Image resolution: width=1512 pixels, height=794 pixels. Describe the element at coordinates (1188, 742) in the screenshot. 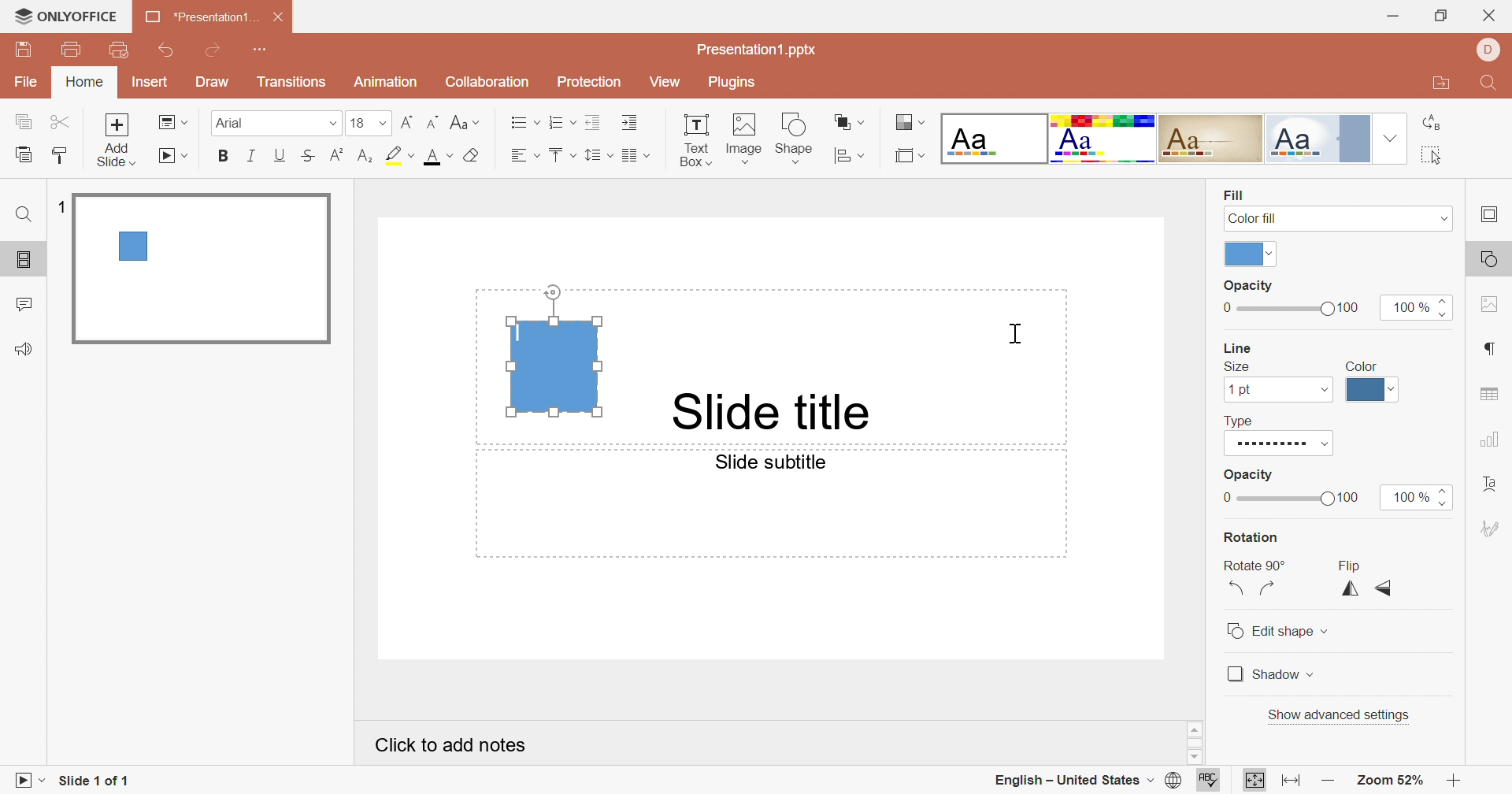

I see `Scrollbar` at that location.